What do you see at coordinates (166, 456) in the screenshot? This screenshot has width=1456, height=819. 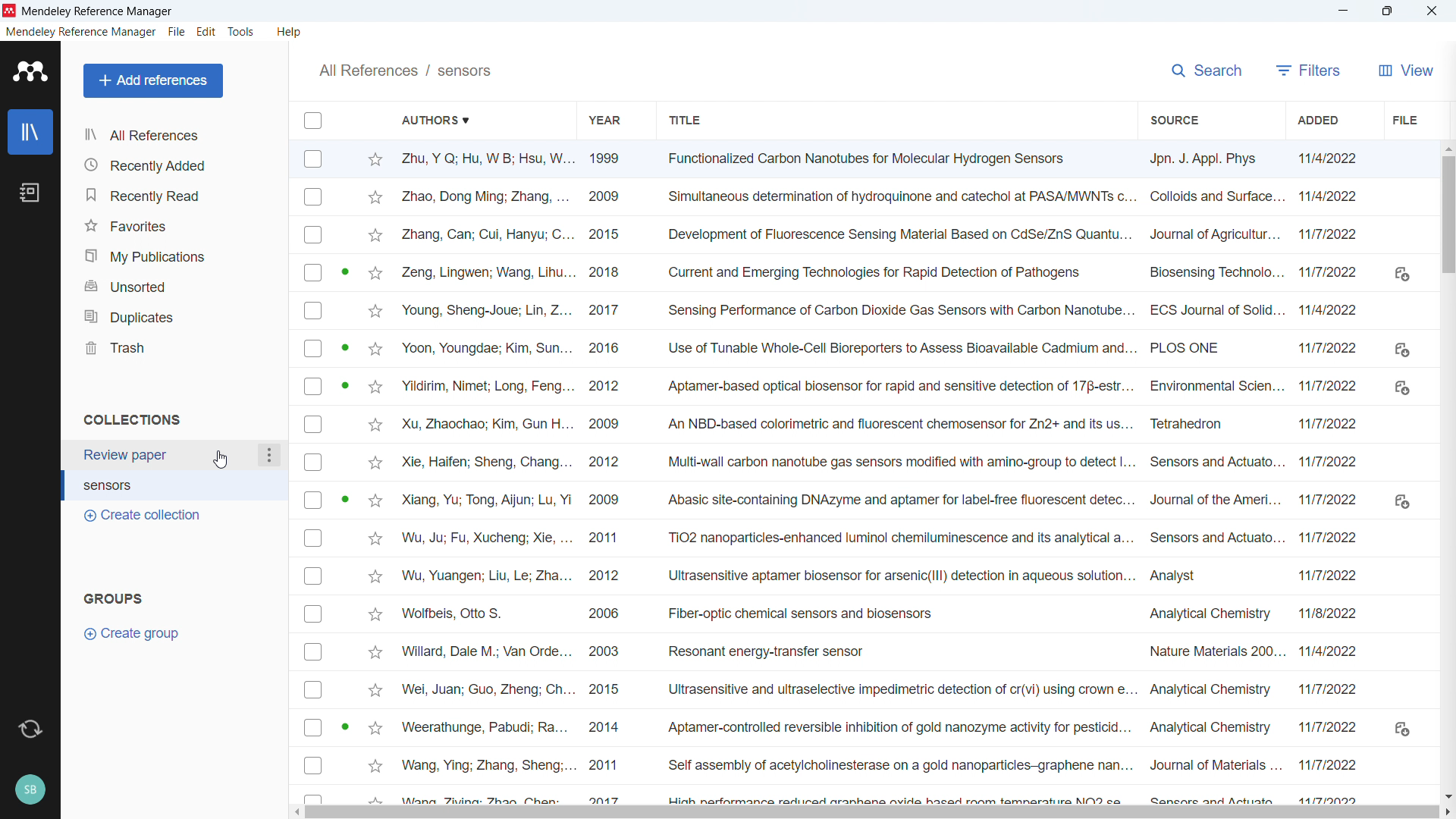 I see `Collection 1 ` at bounding box center [166, 456].